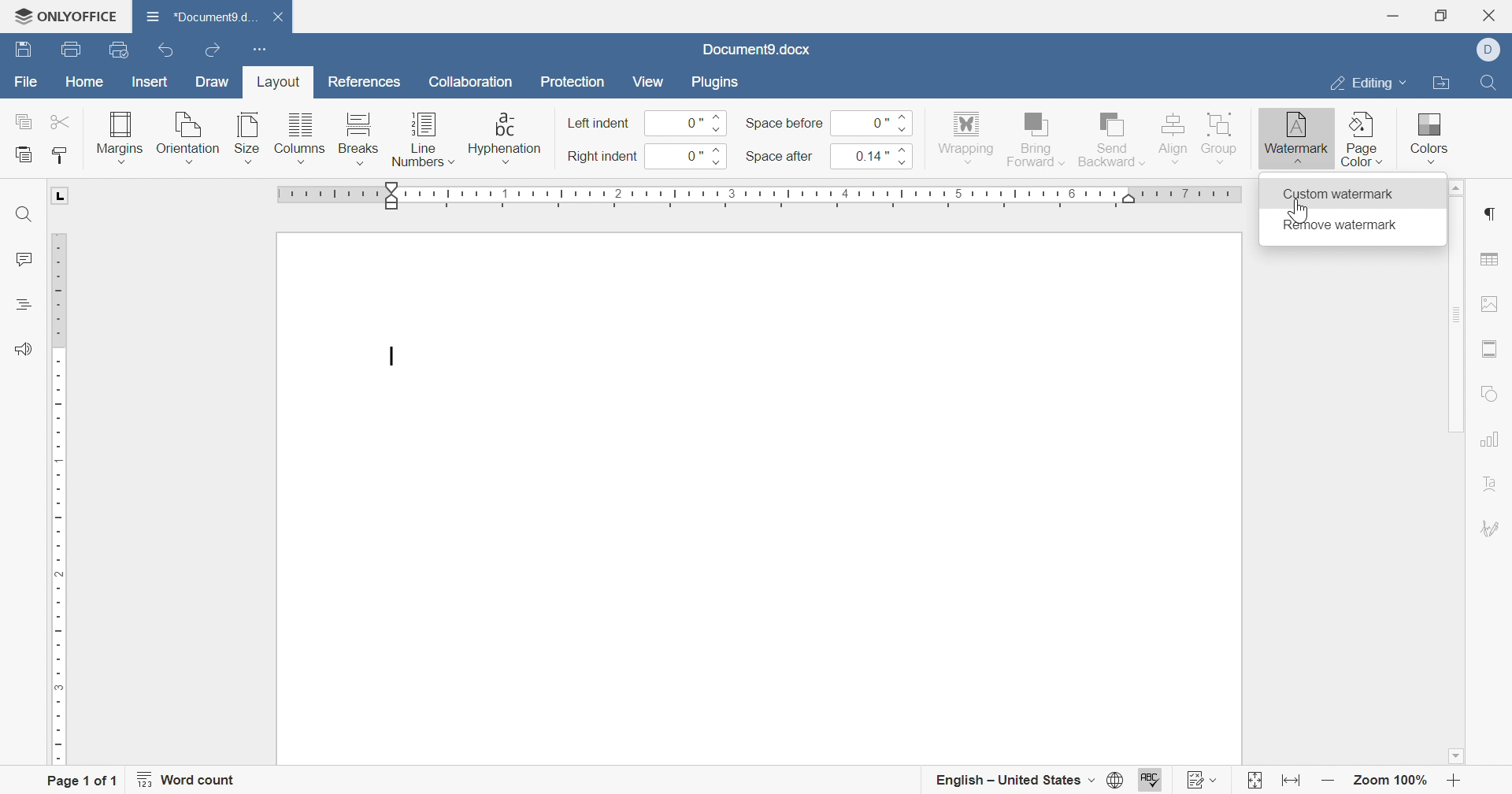  I want to click on 0, so click(686, 156).